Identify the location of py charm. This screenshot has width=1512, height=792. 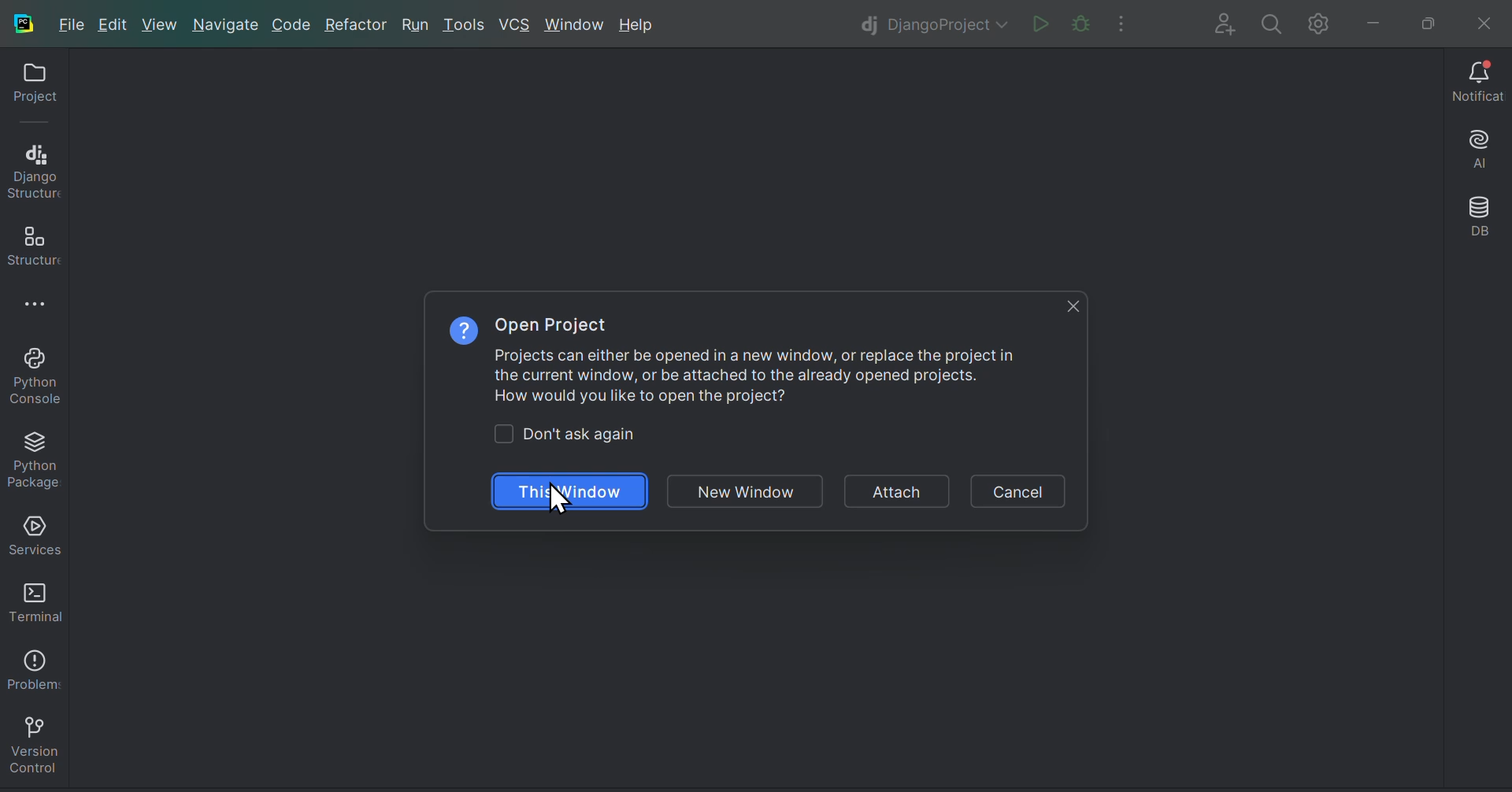
(25, 21).